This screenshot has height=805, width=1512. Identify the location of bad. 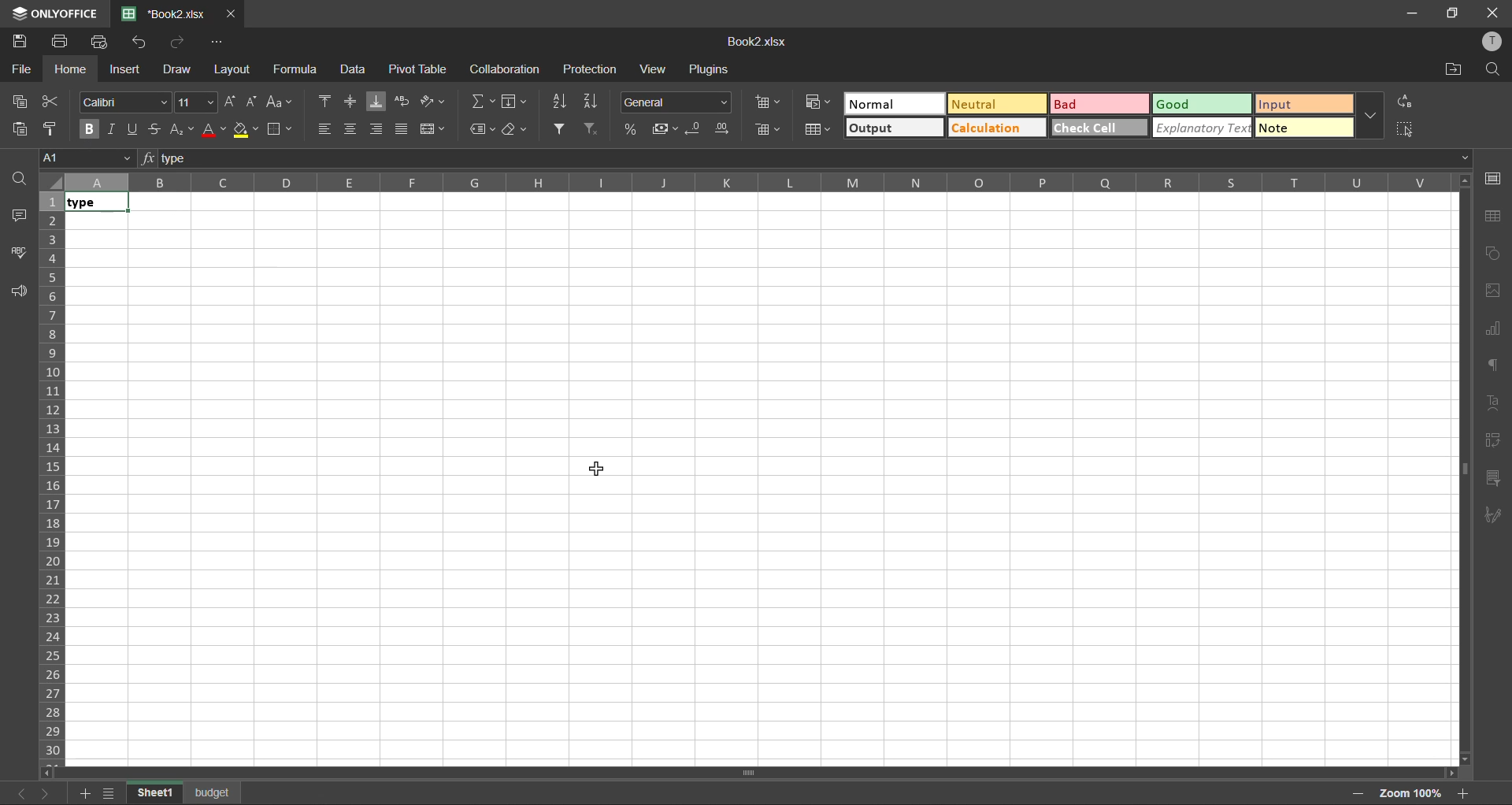
(1100, 105).